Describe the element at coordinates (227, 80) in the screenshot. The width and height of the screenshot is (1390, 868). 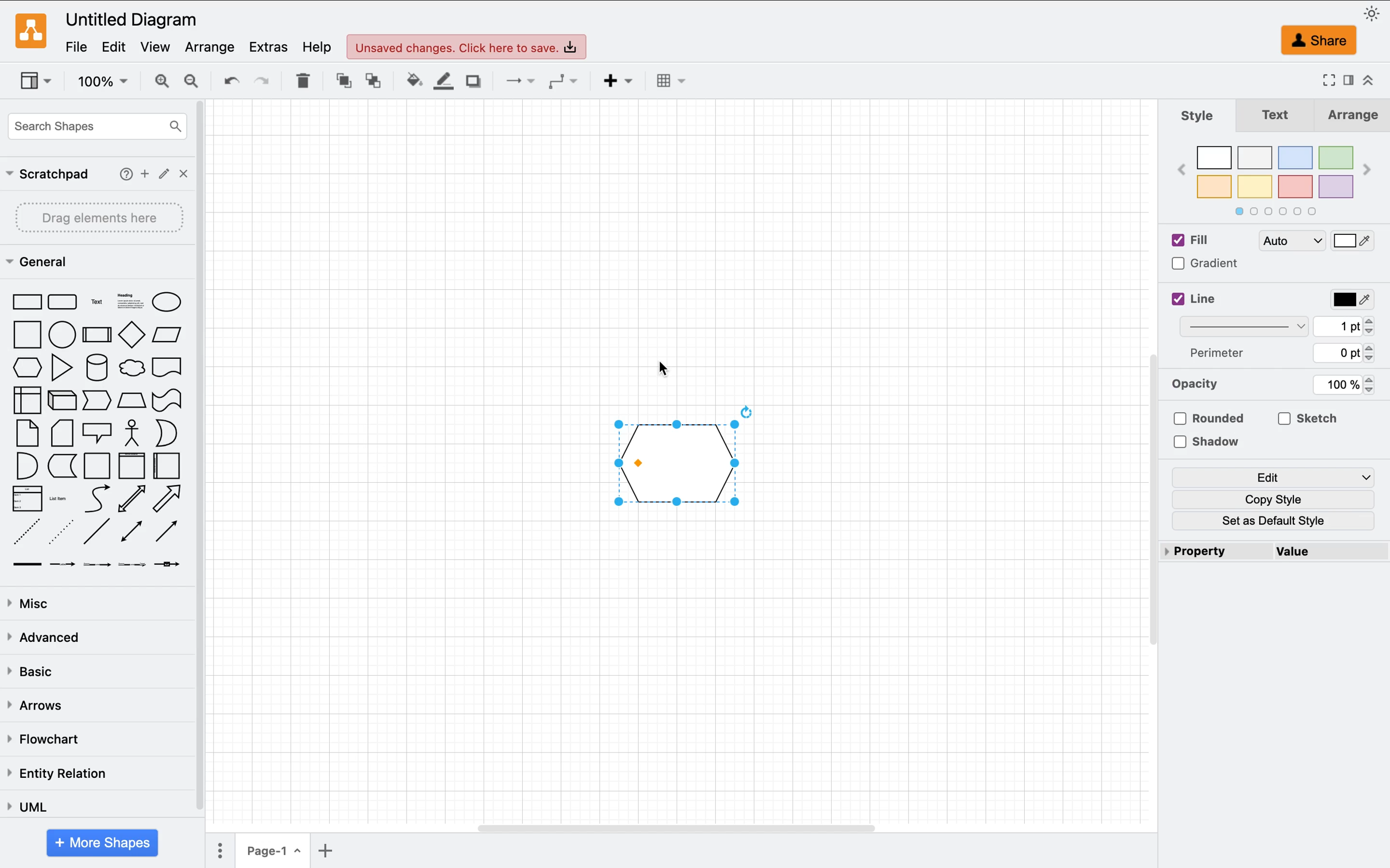
I see `undi` at that location.